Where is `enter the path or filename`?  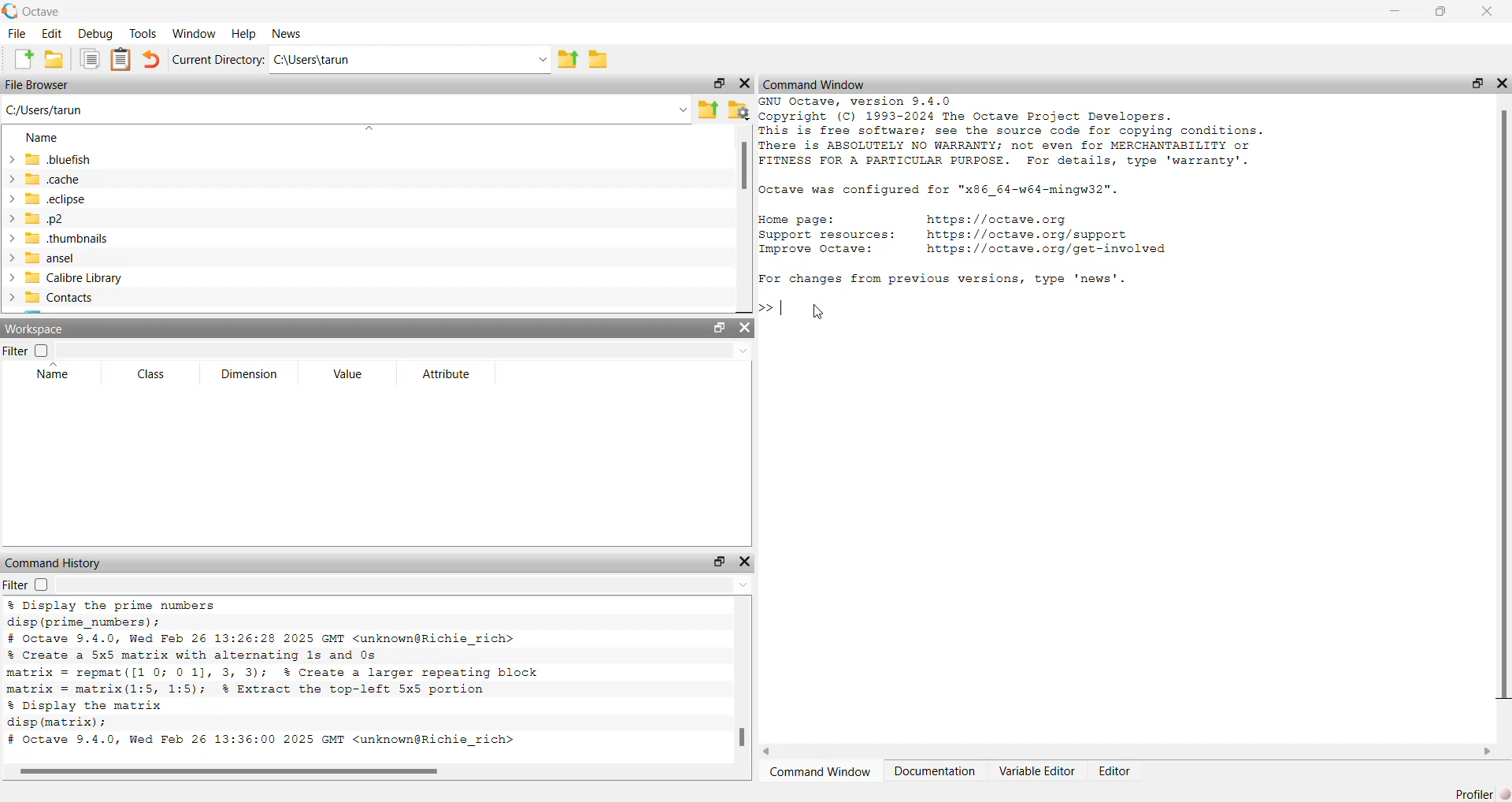
enter the path or filename is located at coordinates (345, 109).